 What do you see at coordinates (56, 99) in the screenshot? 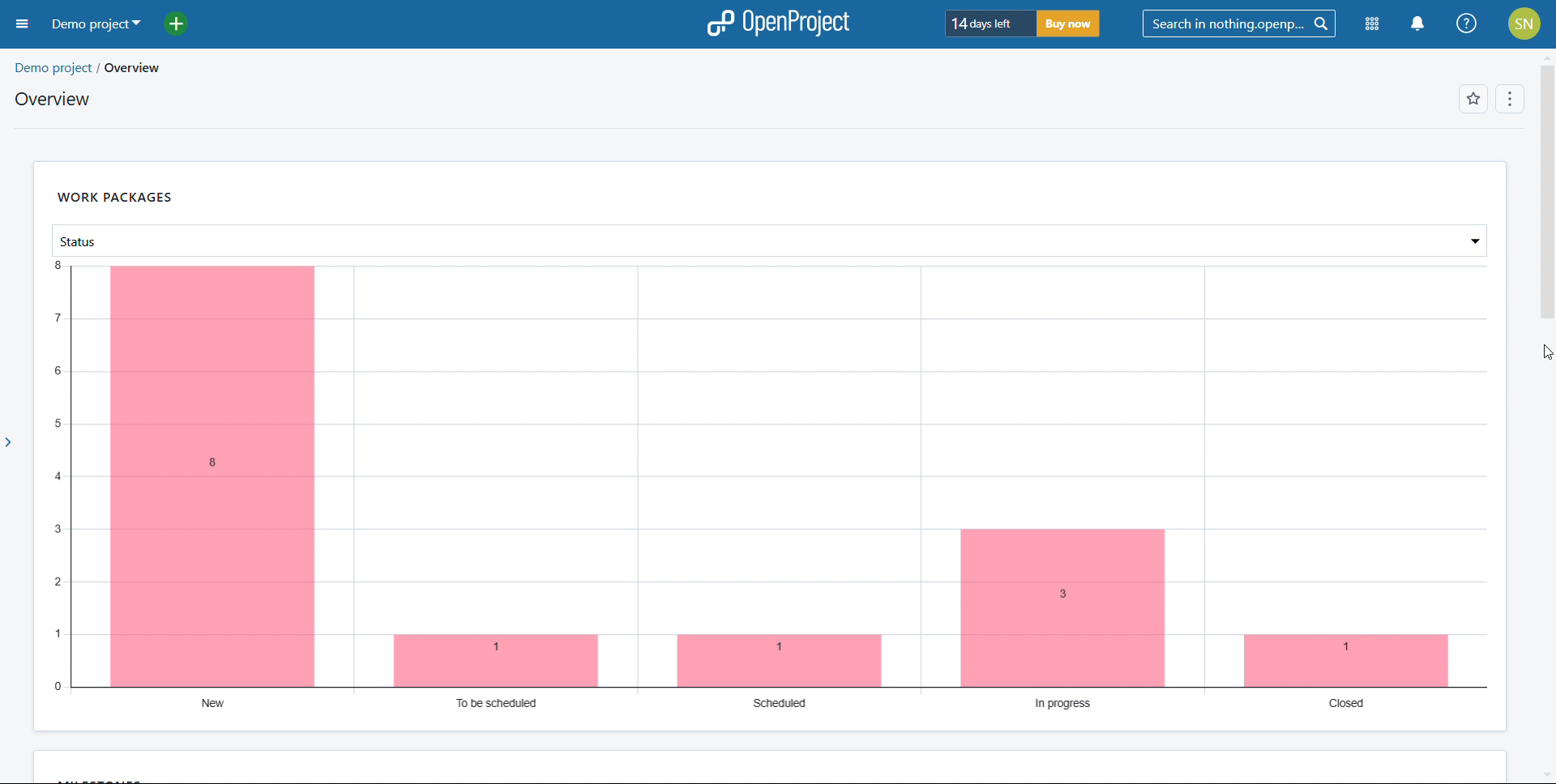
I see `overview` at bounding box center [56, 99].